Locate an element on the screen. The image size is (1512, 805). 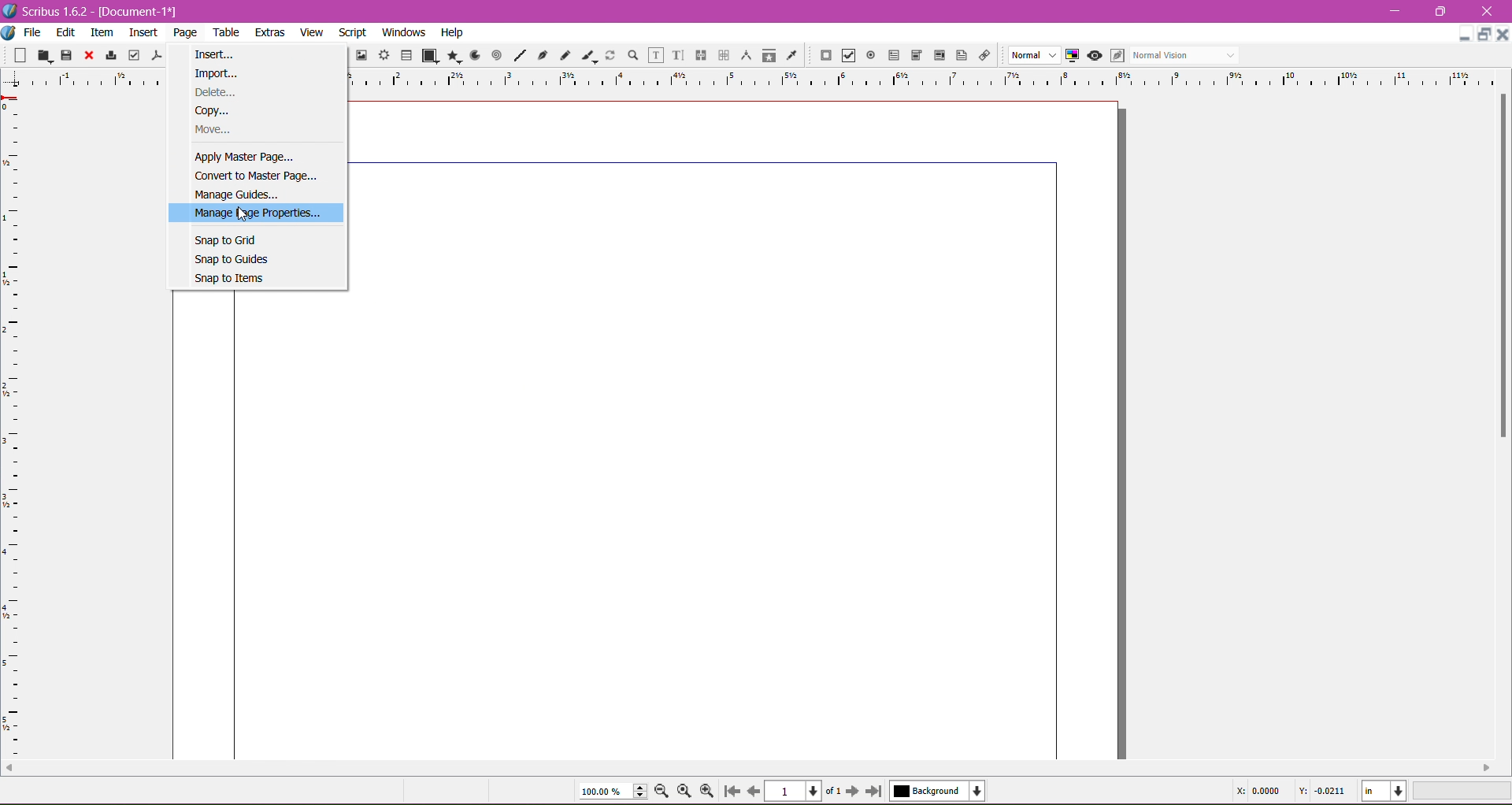
Render Frame is located at coordinates (385, 55).